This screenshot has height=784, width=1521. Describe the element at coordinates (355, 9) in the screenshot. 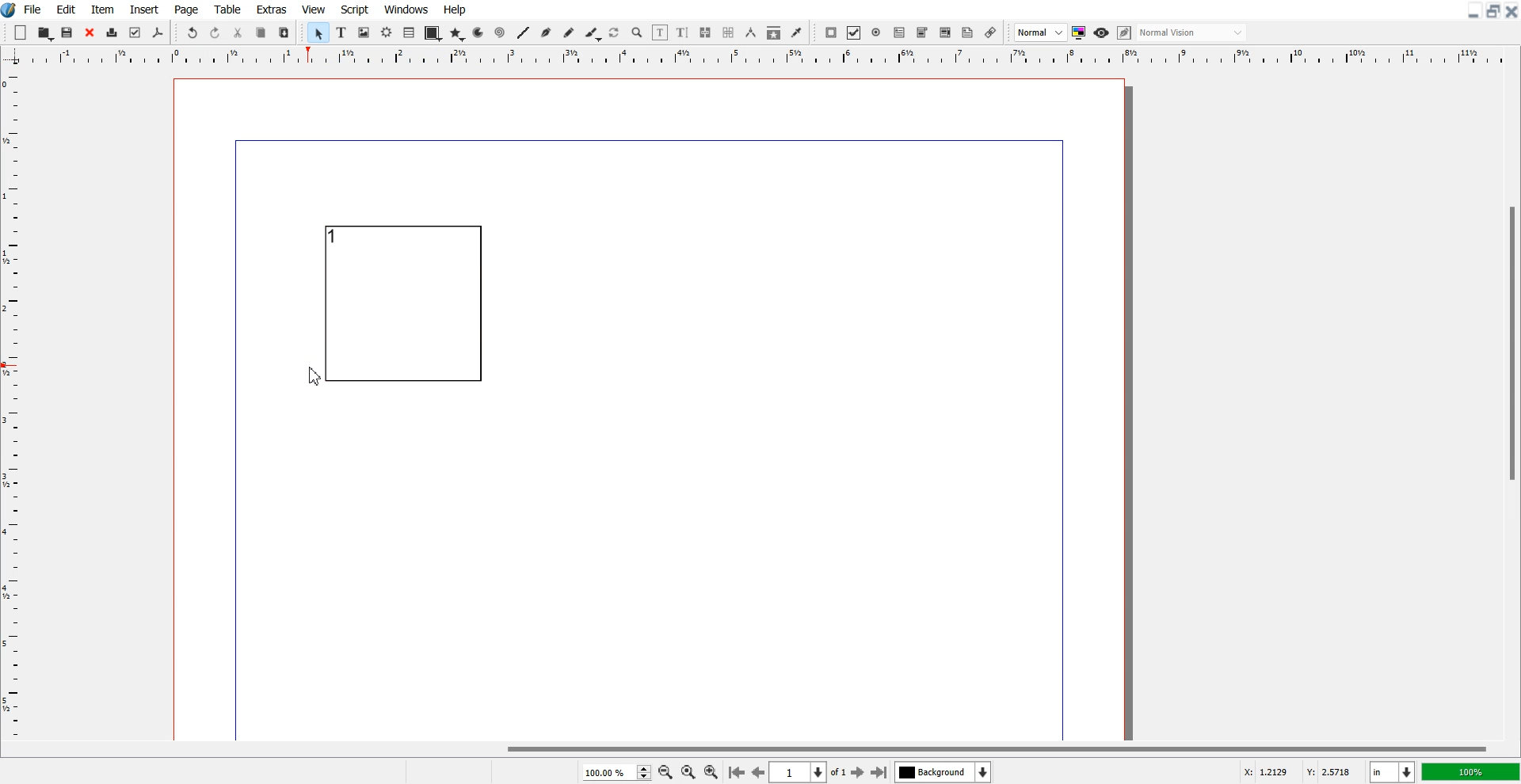

I see `Script` at that location.